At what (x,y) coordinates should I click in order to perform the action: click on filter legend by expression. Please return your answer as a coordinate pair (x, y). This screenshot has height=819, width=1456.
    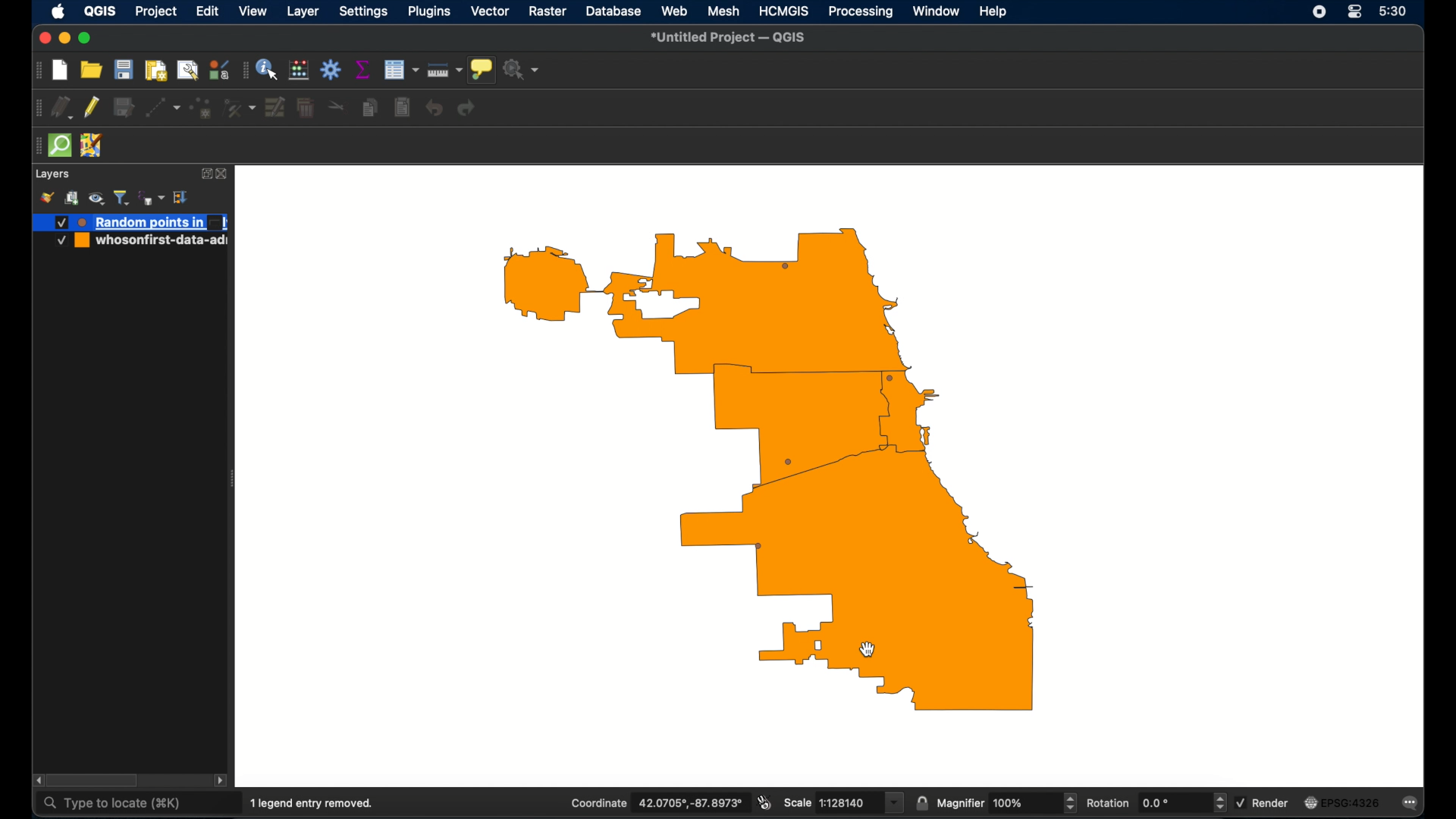
    Looking at the image, I should click on (152, 198).